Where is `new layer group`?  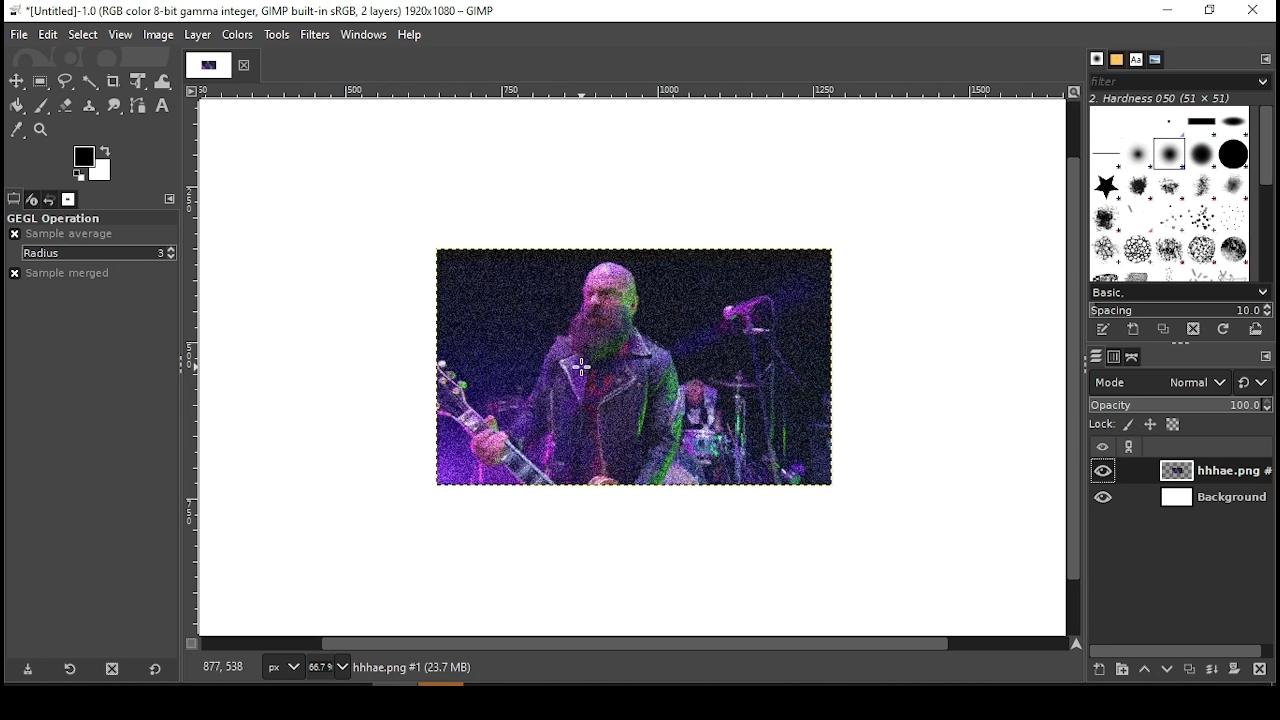
new layer group is located at coordinates (1120, 670).